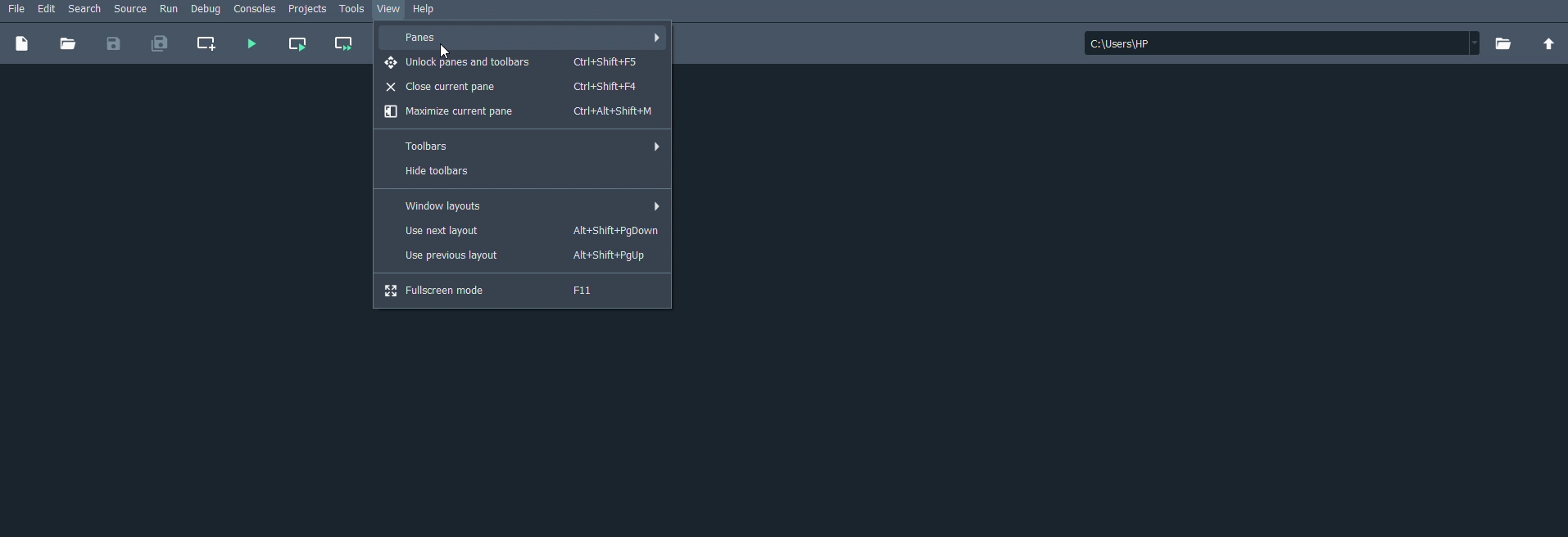 Image resolution: width=1568 pixels, height=537 pixels. Describe the element at coordinates (351, 10) in the screenshot. I see `Tools` at that location.